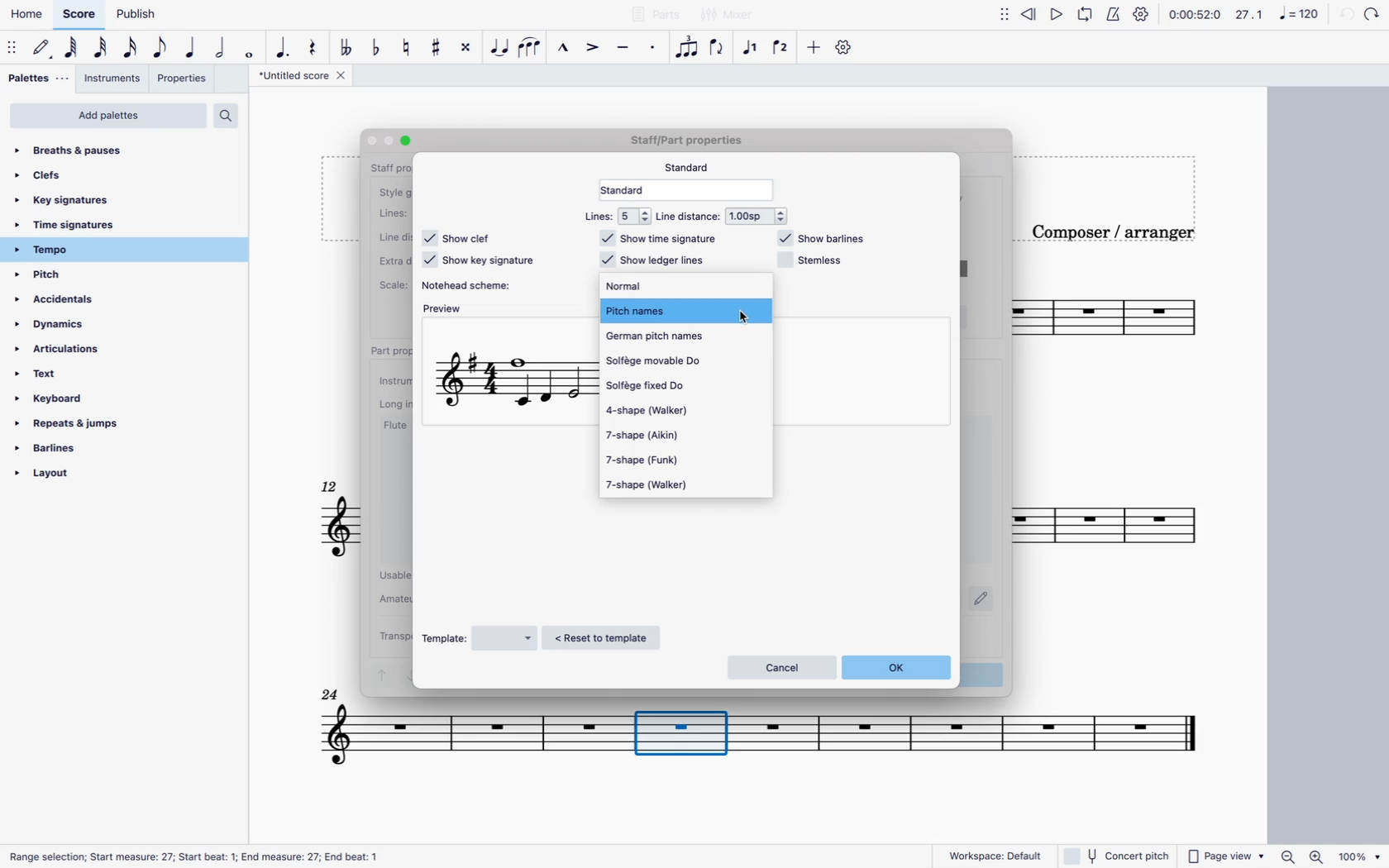 This screenshot has height=868, width=1389. I want to click on score, so click(81, 13).